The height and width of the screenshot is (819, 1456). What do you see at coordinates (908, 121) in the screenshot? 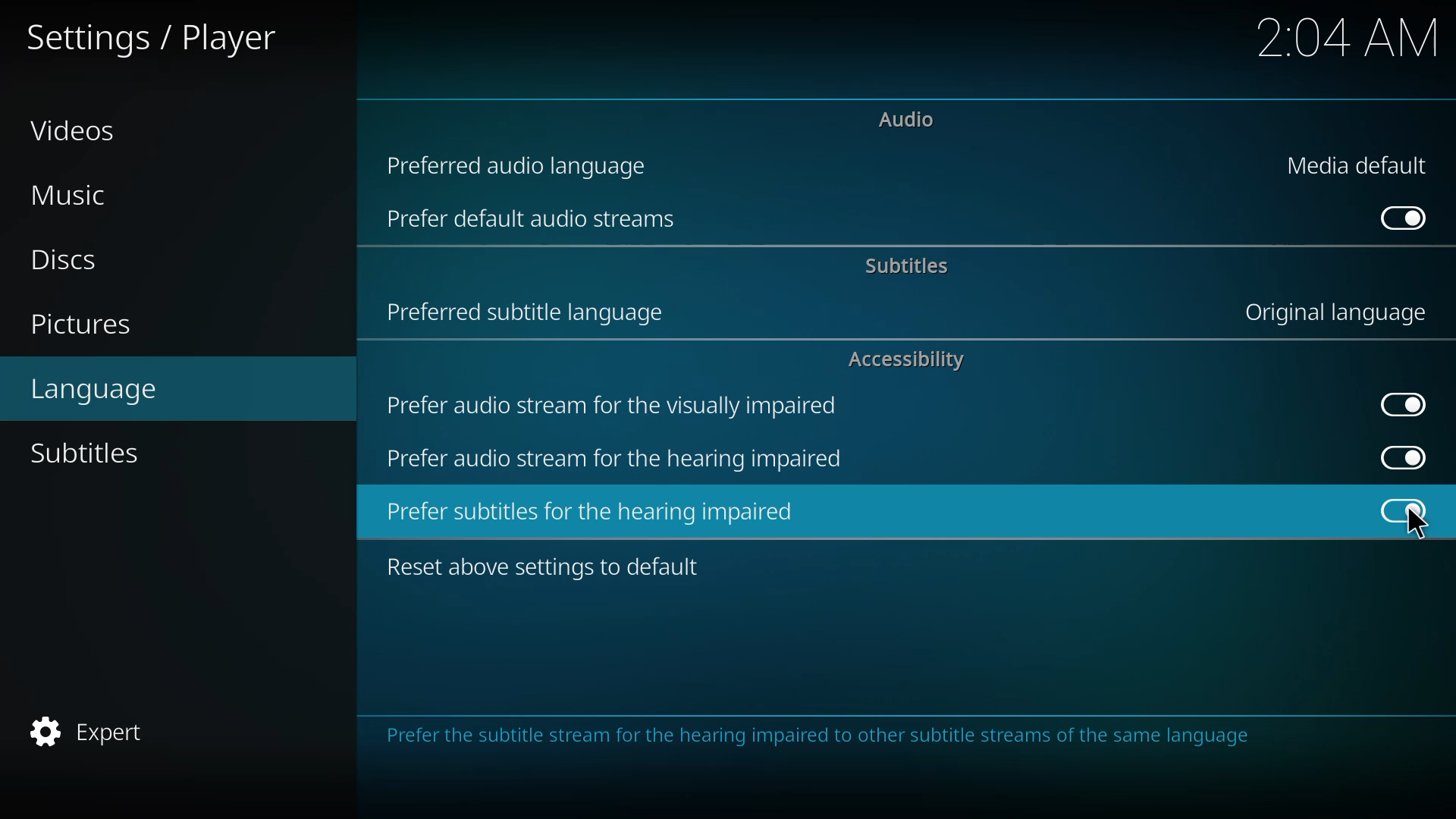
I see `audio` at bounding box center [908, 121].